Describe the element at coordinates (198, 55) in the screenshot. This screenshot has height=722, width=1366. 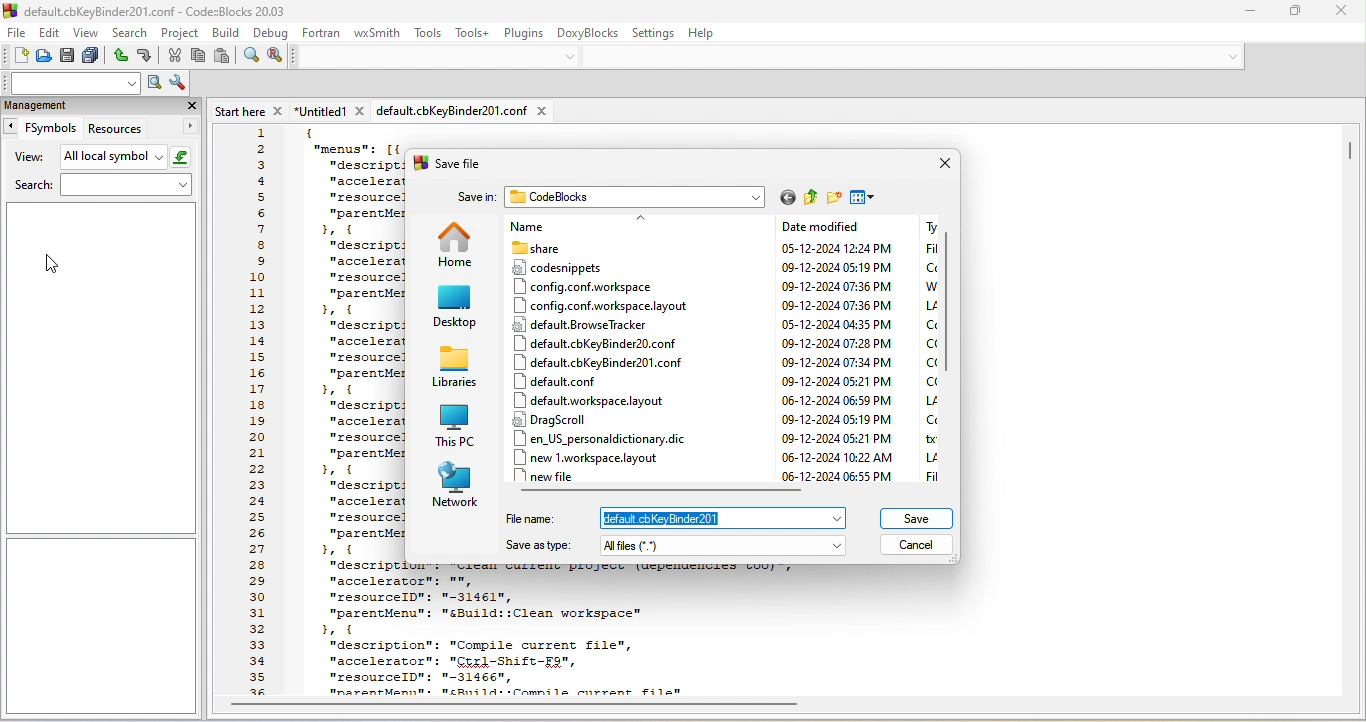
I see `copy` at that location.